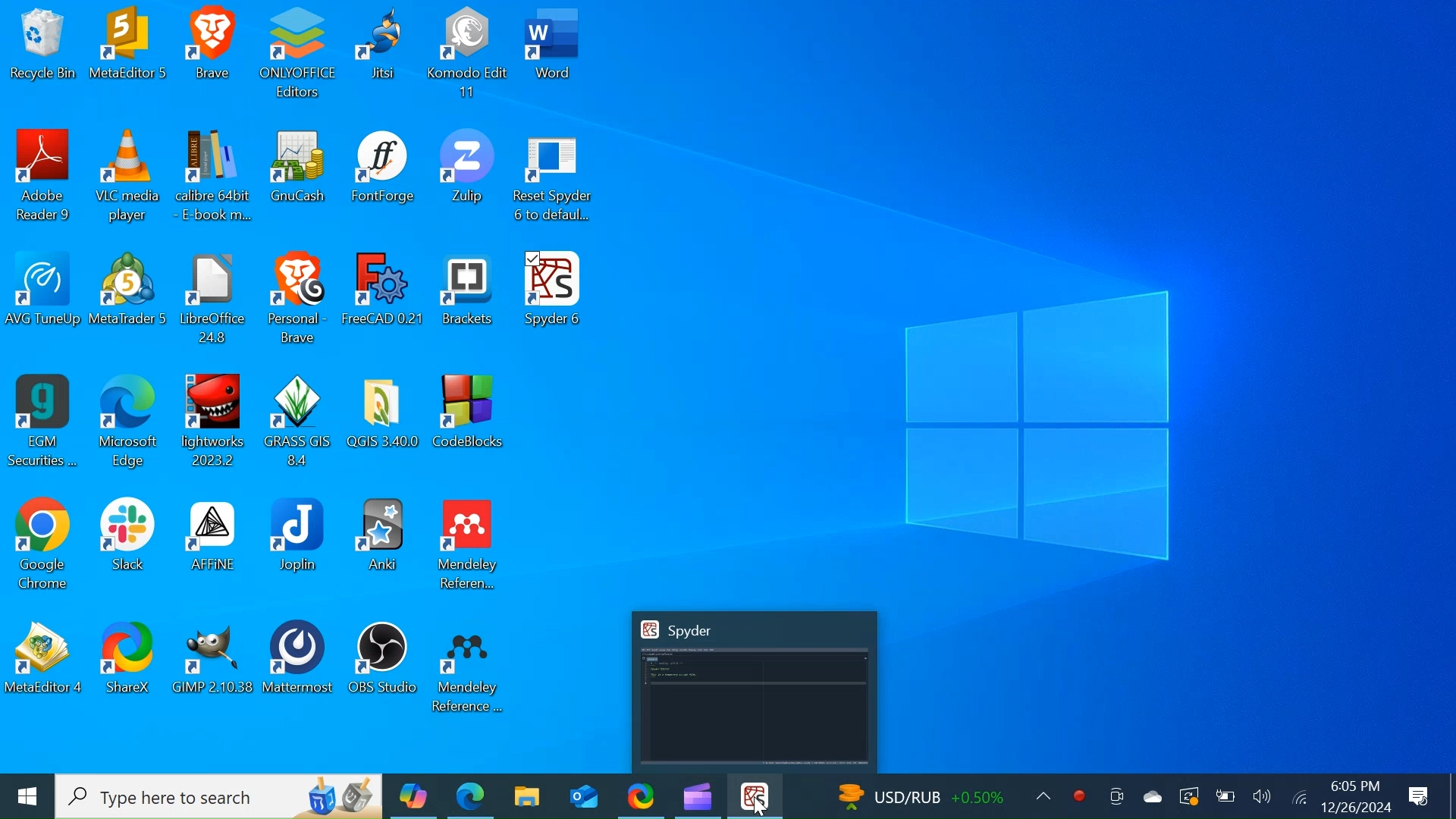  Describe the element at coordinates (1355, 807) in the screenshot. I see `Date` at that location.